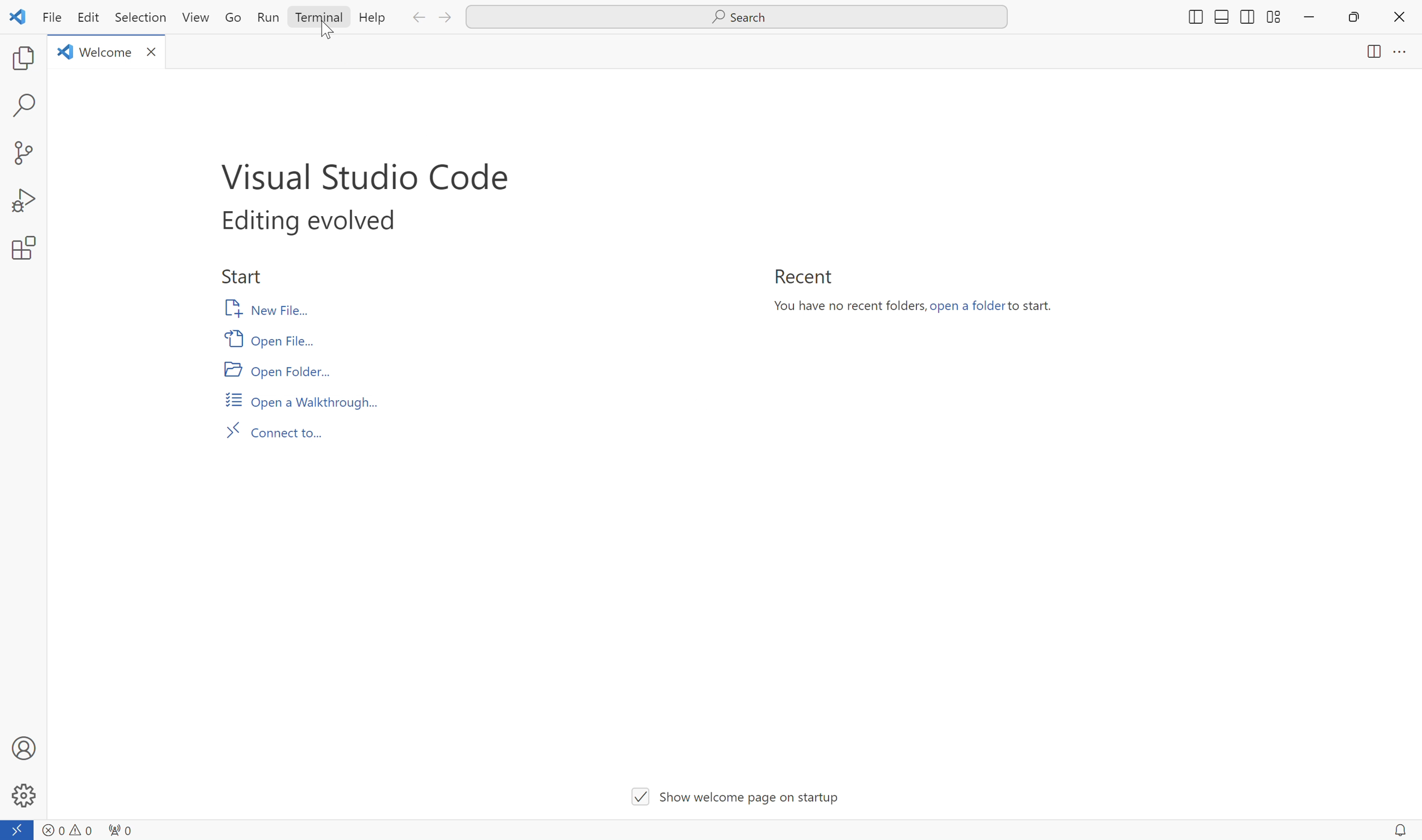  Describe the element at coordinates (737, 18) in the screenshot. I see `Search` at that location.